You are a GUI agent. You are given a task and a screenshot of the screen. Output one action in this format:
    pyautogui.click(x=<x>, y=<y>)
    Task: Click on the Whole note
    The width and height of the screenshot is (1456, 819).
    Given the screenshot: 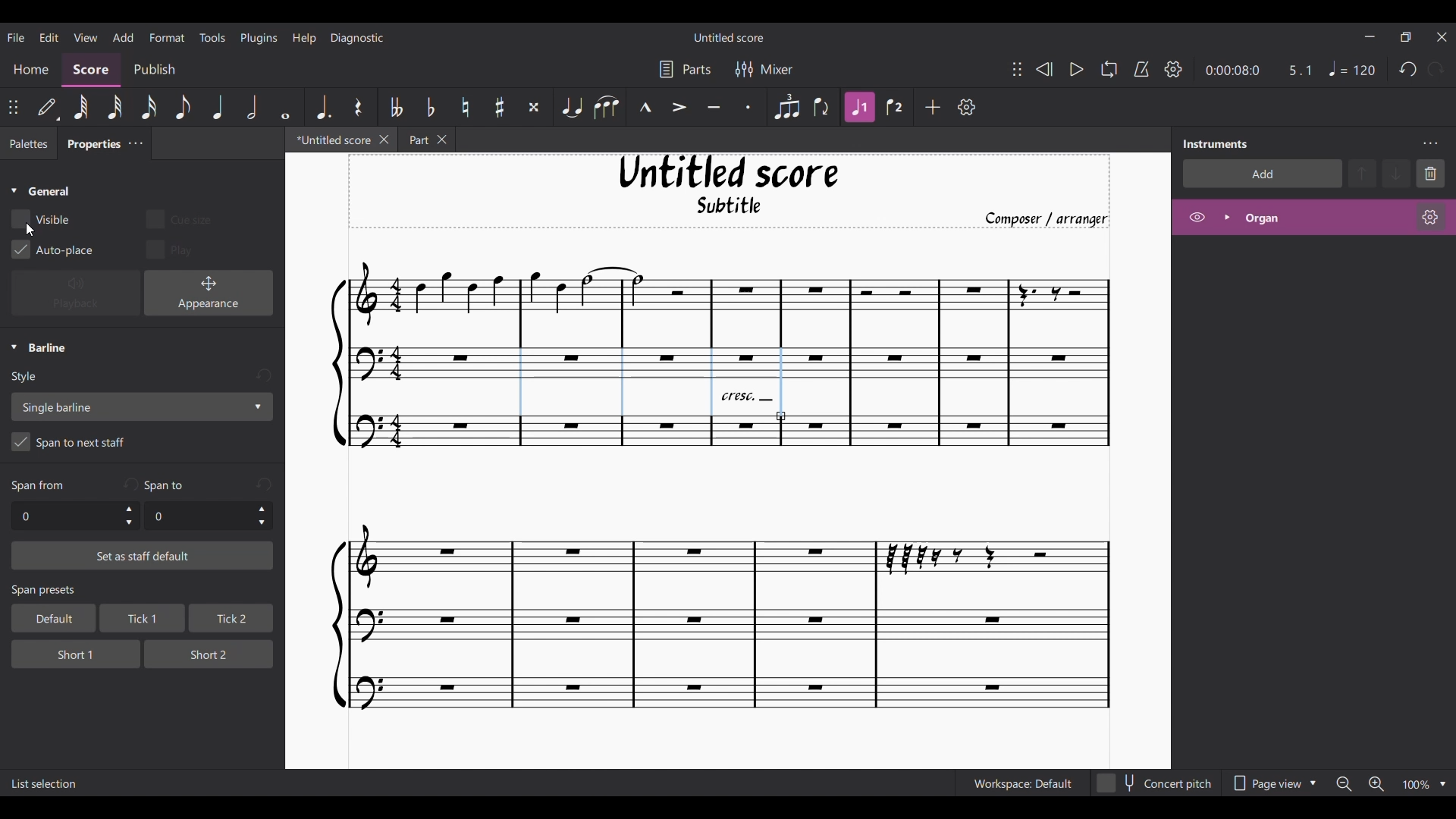 What is the action you would take?
    pyautogui.click(x=287, y=106)
    